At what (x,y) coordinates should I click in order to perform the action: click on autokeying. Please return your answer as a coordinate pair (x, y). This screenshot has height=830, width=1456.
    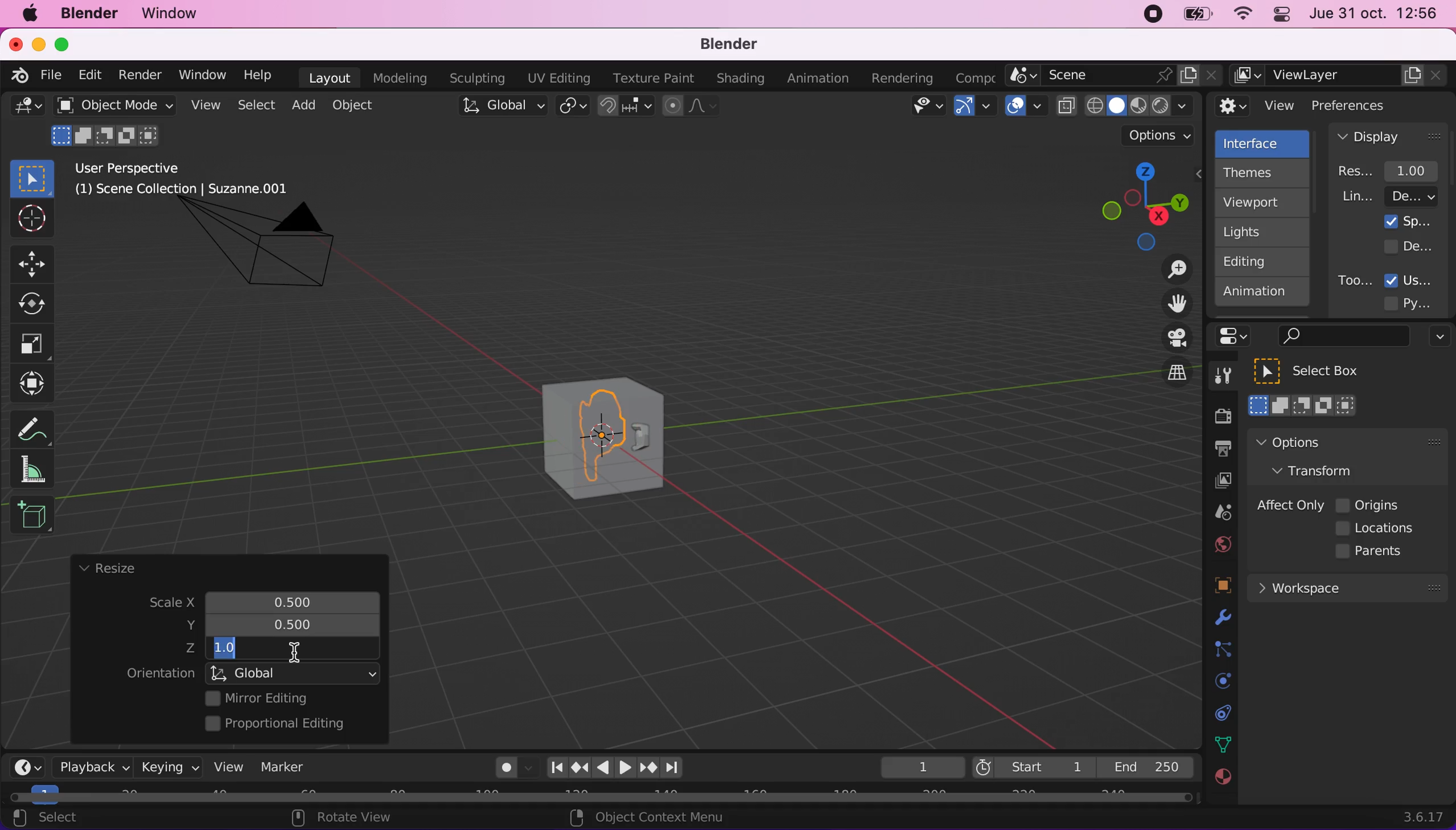
    Looking at the image, I should click on (507, 771).